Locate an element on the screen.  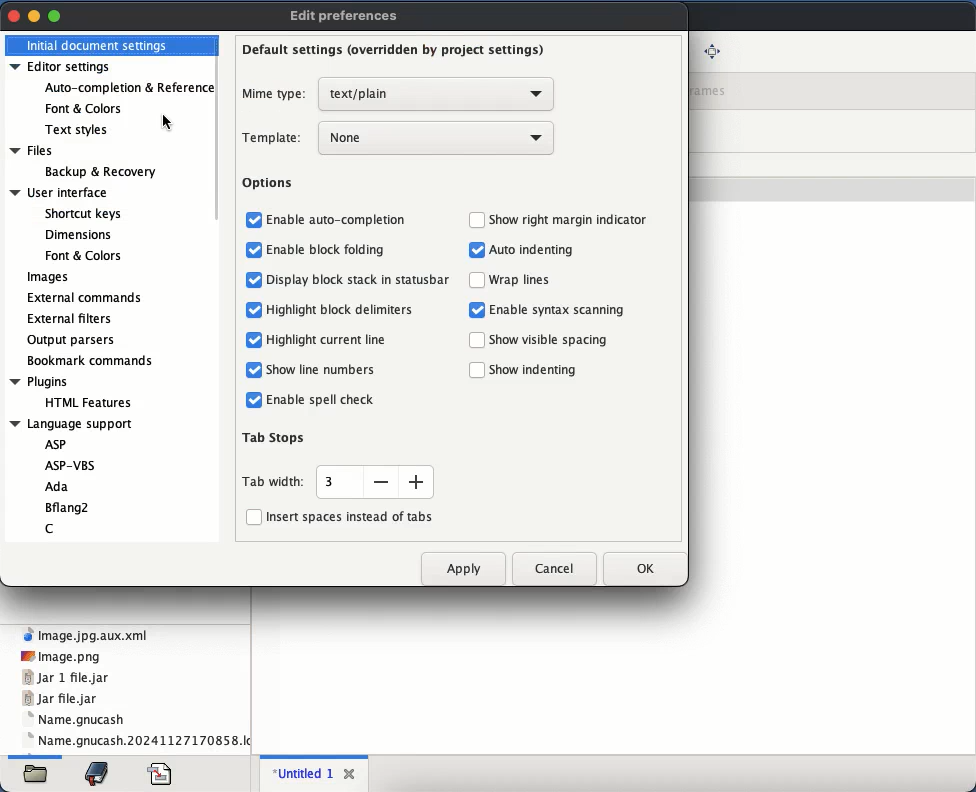
User interface is located at coordinates (60, 192).